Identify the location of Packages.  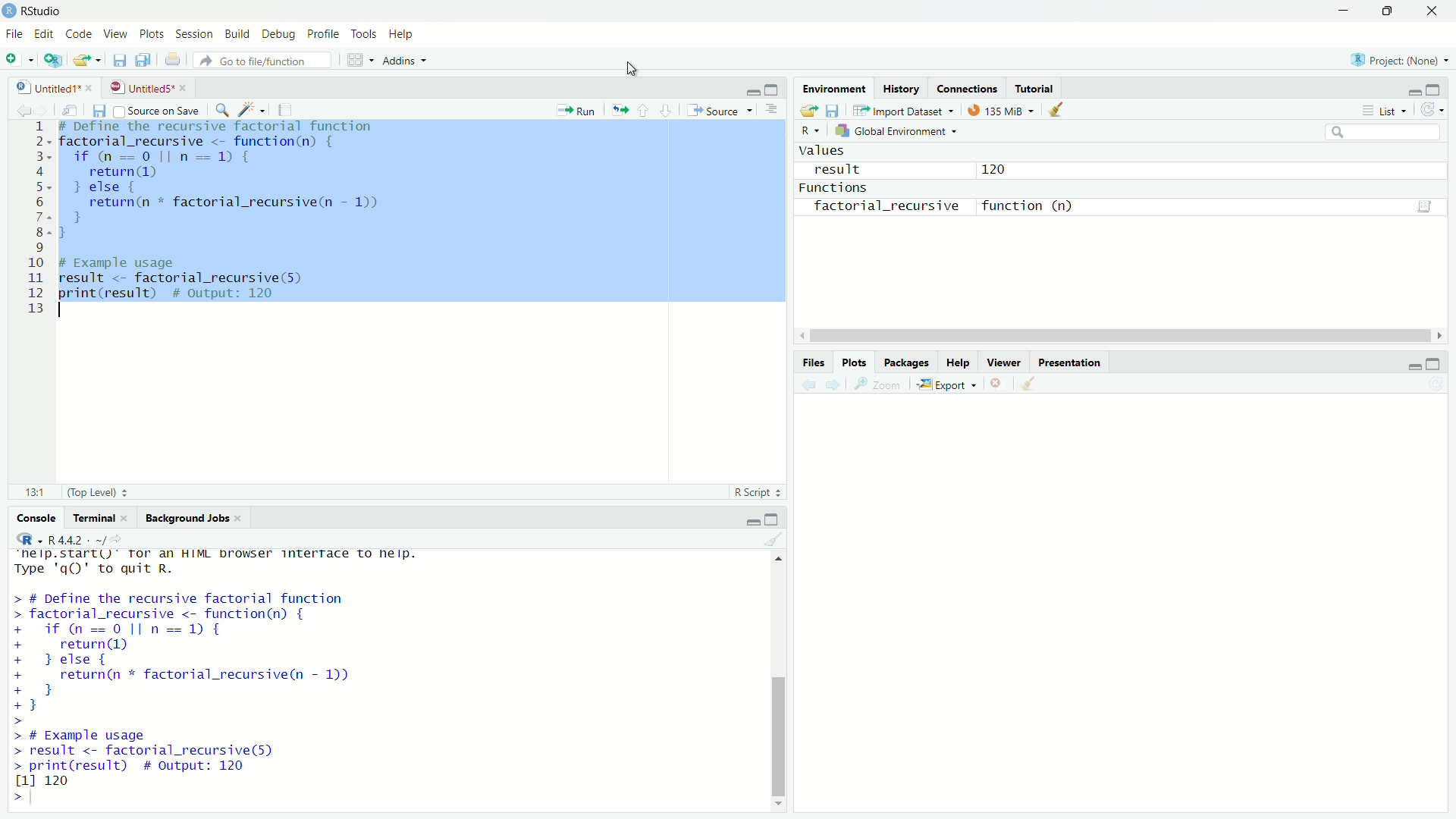
(909, 360).